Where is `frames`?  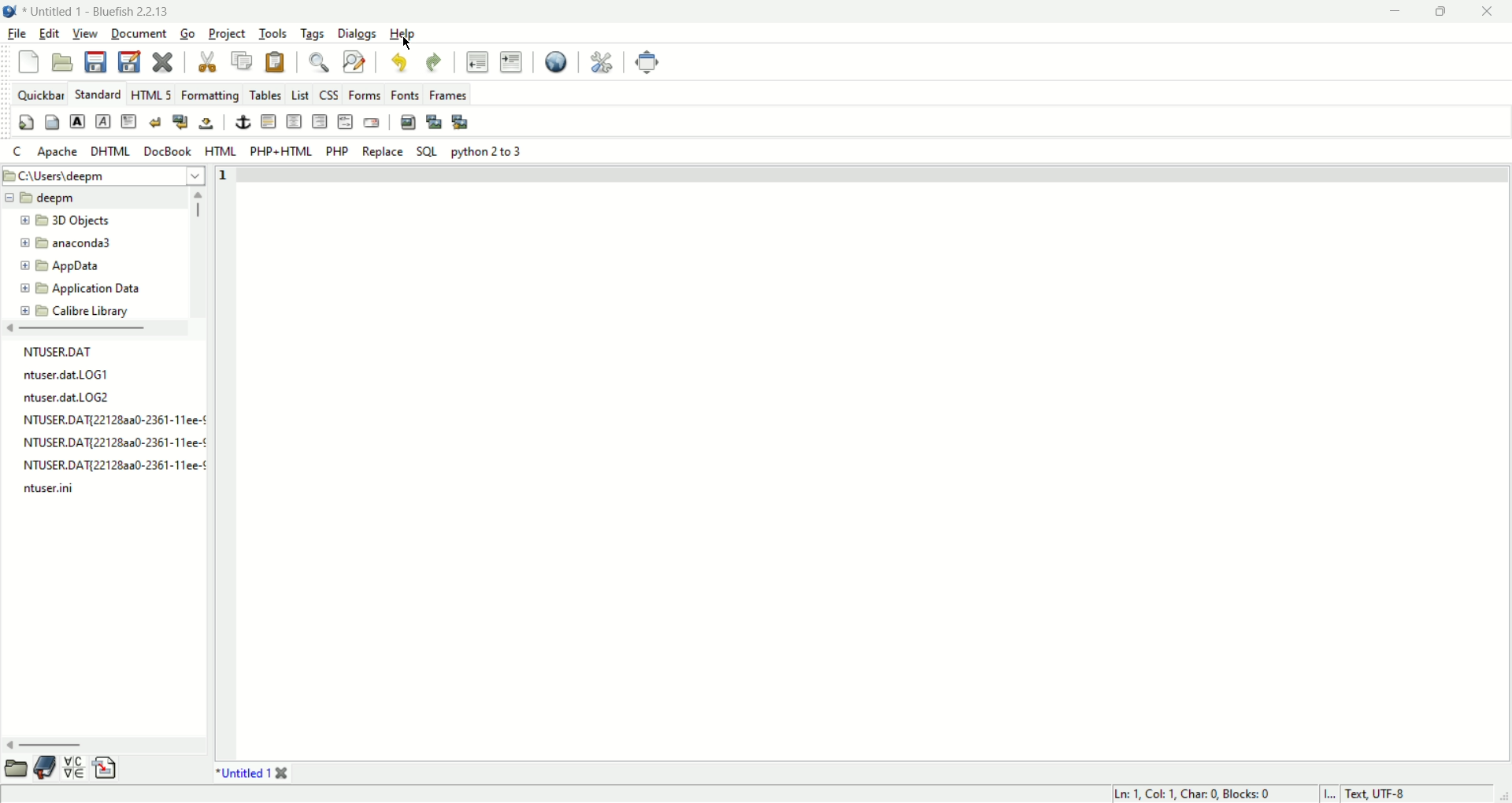
frames is located at coordinates (448, 94).